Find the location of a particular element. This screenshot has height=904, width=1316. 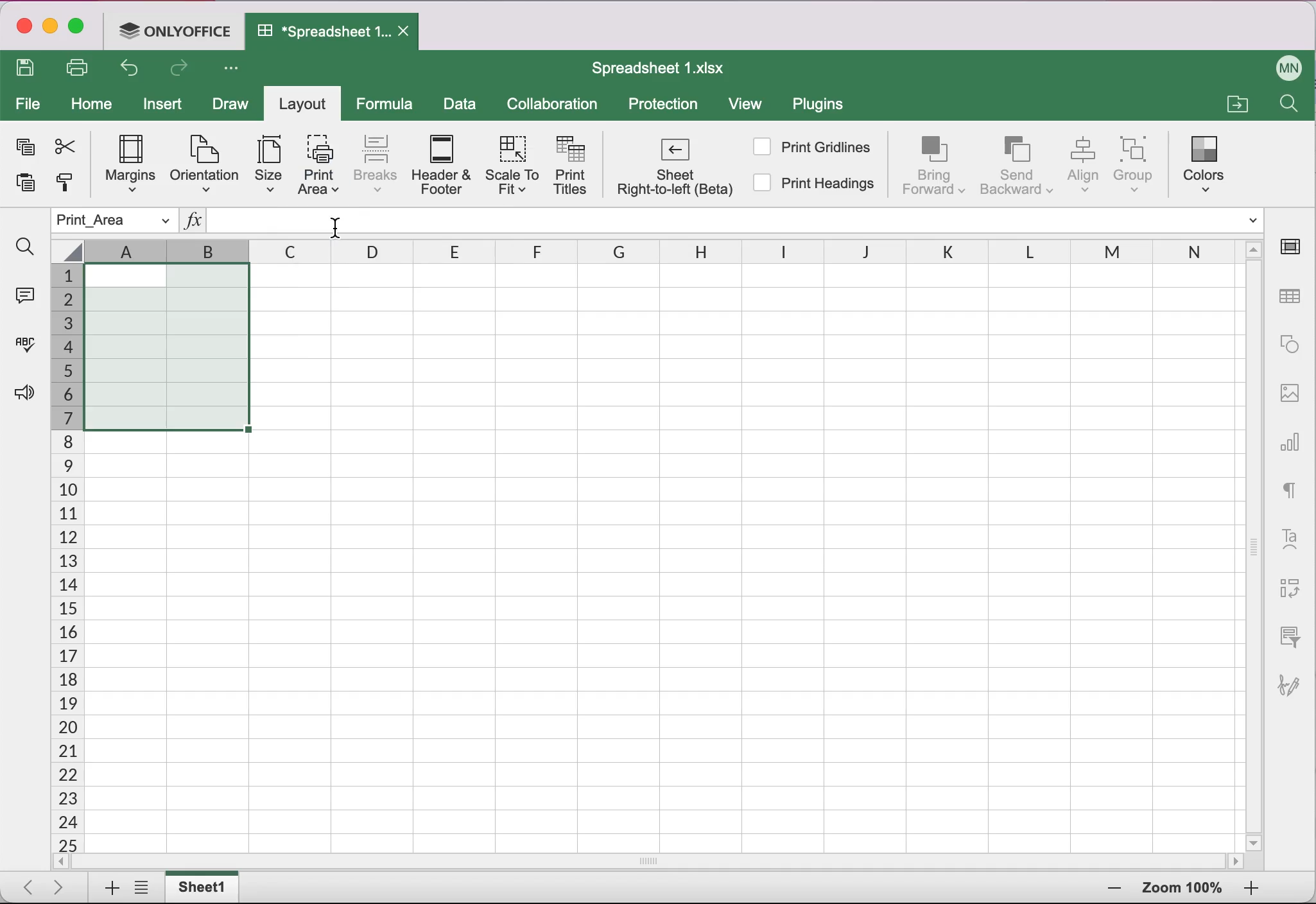

draw is located at coordinates (229, 106).